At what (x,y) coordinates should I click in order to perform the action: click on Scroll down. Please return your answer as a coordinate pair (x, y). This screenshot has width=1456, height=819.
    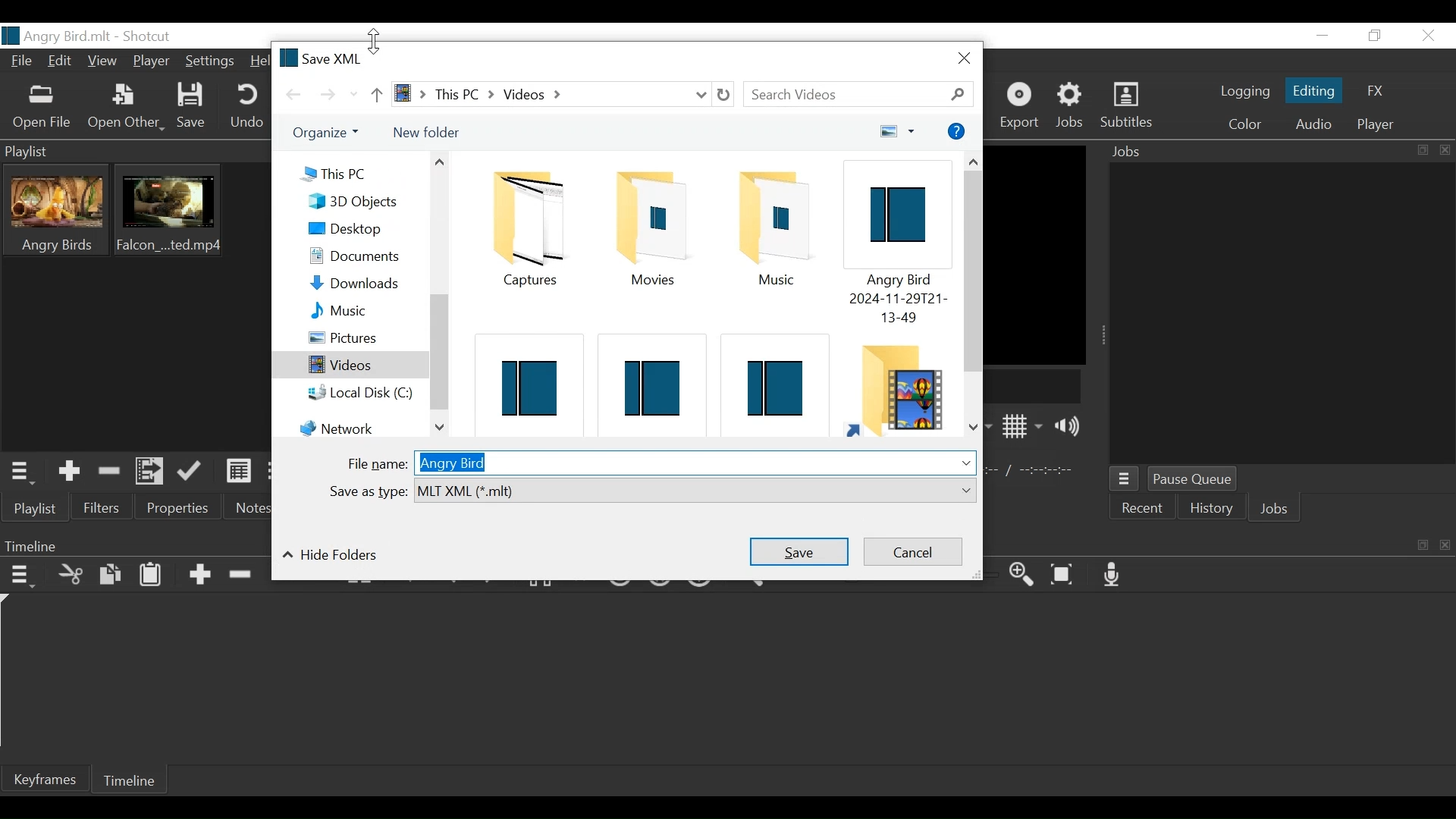
    Looking at the image, I should click on (439, 428).